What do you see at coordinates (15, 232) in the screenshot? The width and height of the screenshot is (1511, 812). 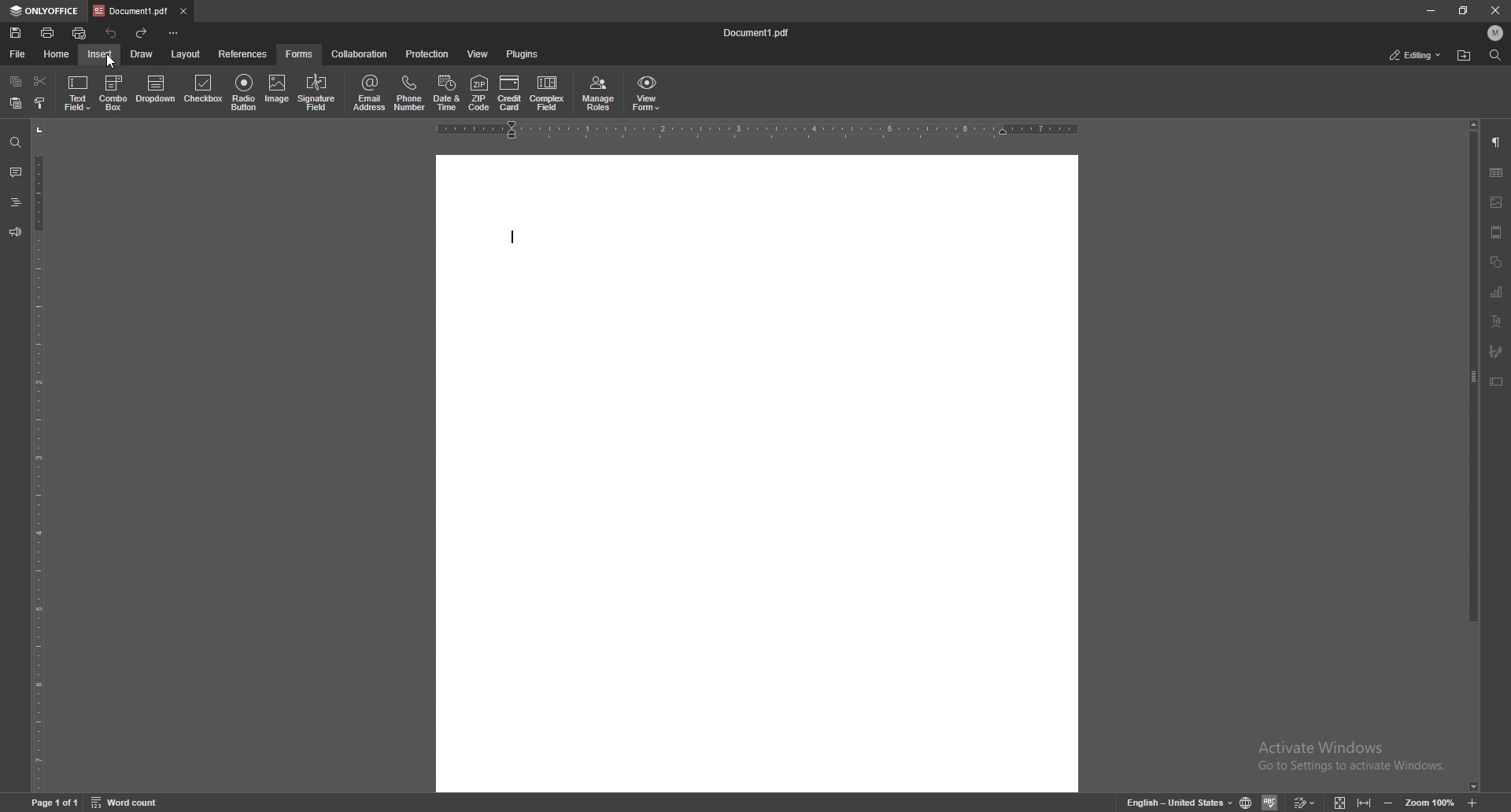 I see `feedback` at bounding box center [15, 232].